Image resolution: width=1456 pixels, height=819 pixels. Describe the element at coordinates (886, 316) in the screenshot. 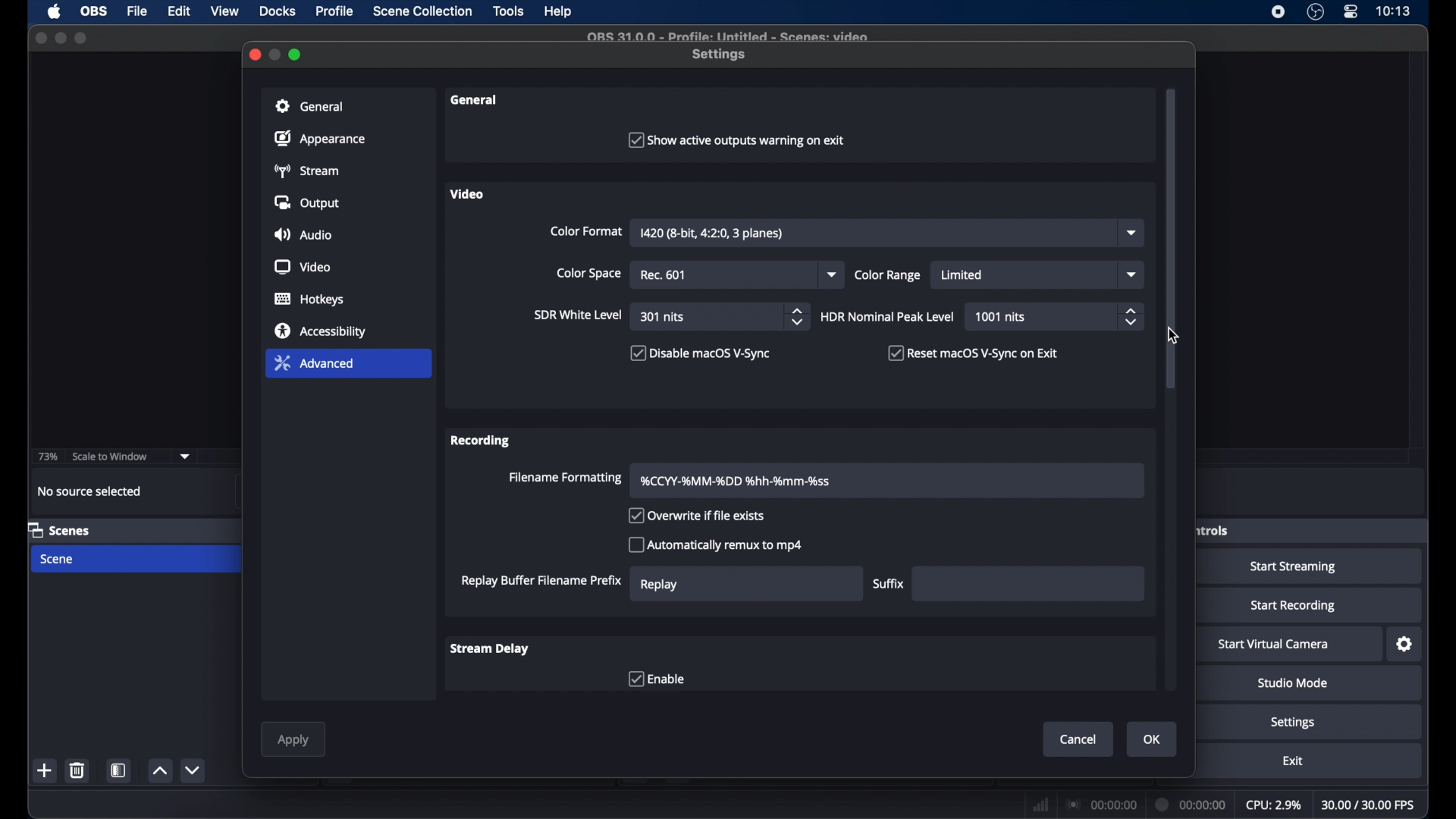

I see `HDR nominal peak level` at that location.